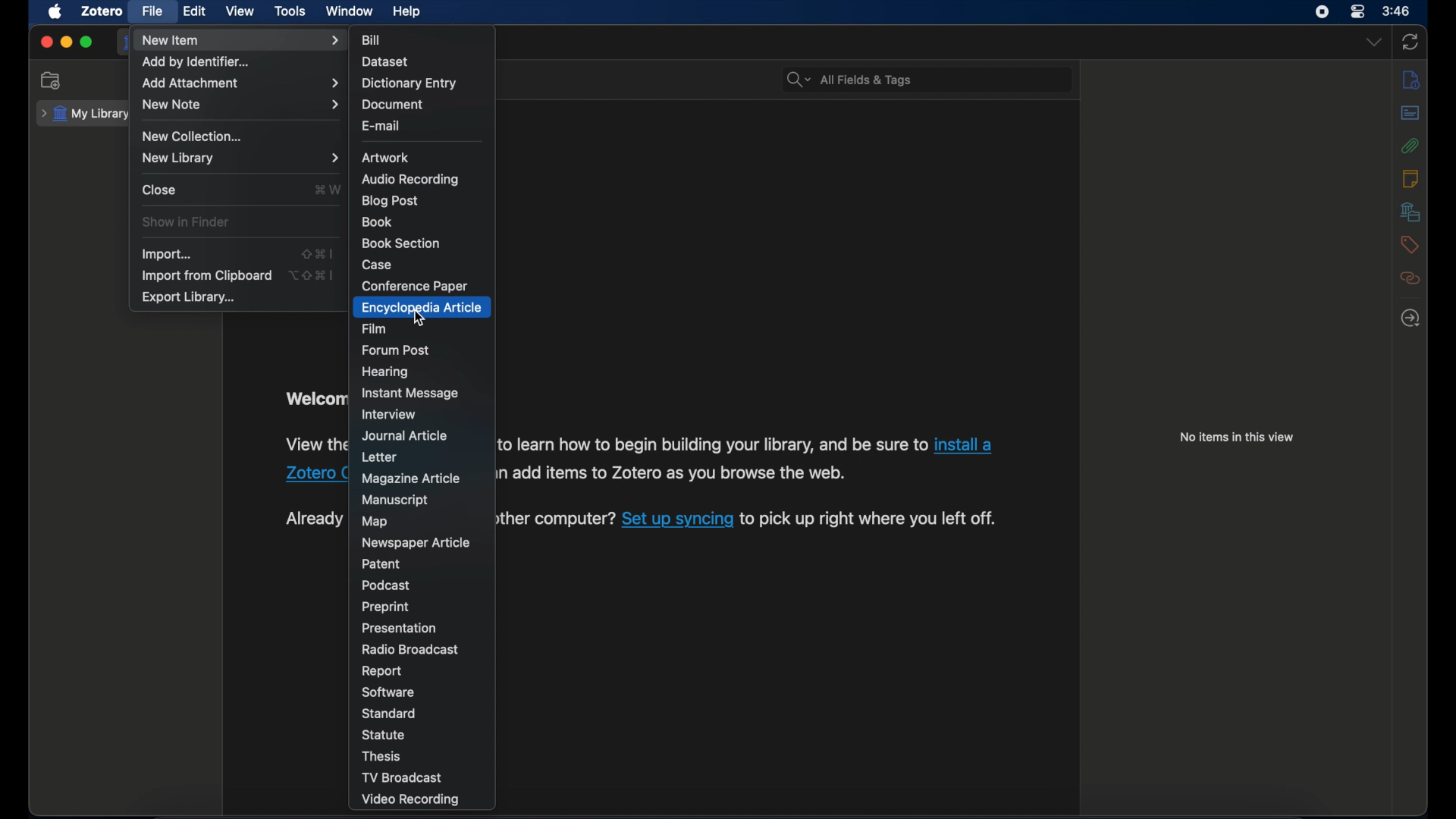 Image resolution: width=1456 pixels, height=819 pixels. Describe the element at coordinates (381, 563) in the screenshot. I see `patent` at that location.